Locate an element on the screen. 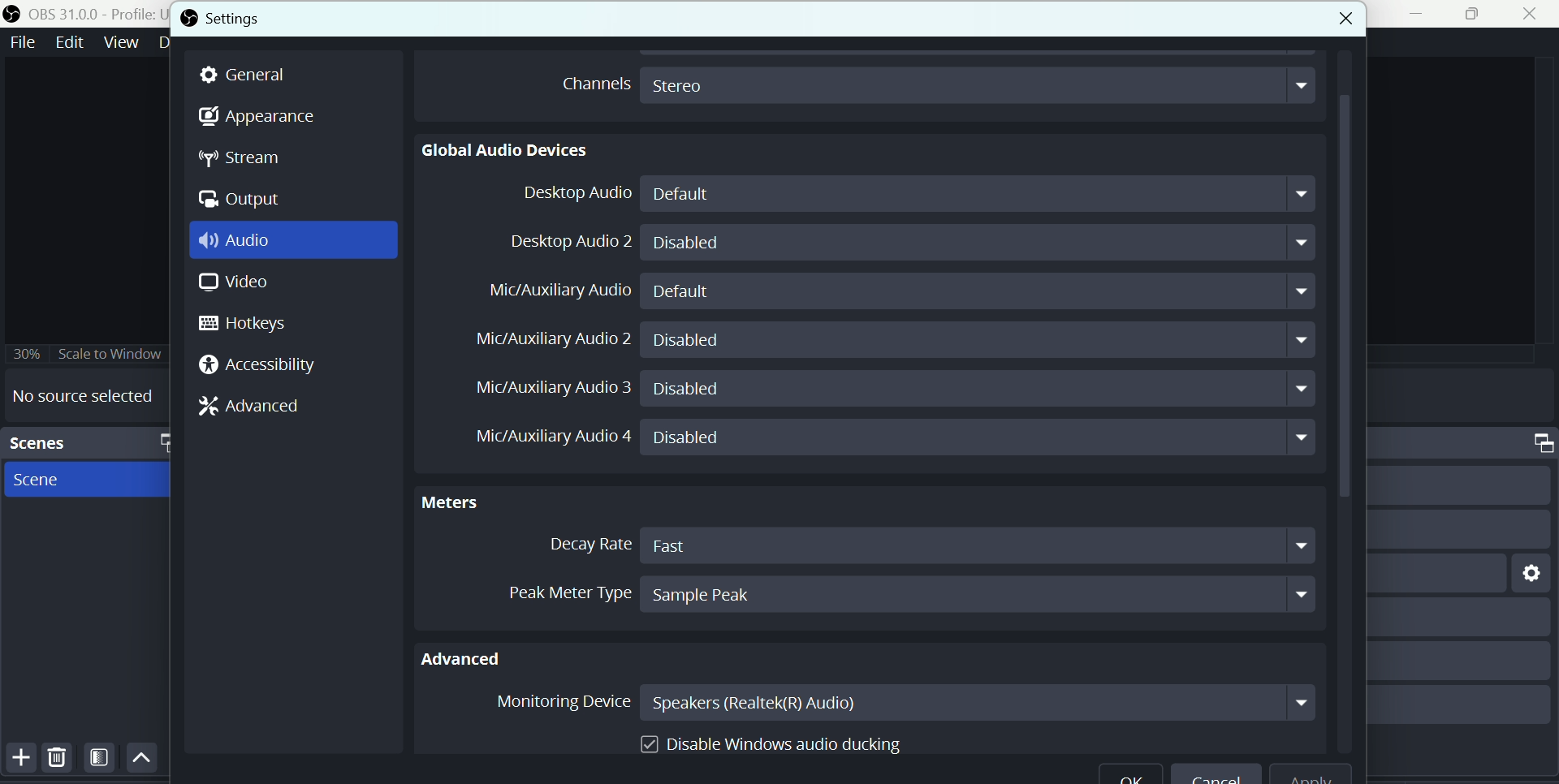  Advanced is located at coordinates (257, 405).